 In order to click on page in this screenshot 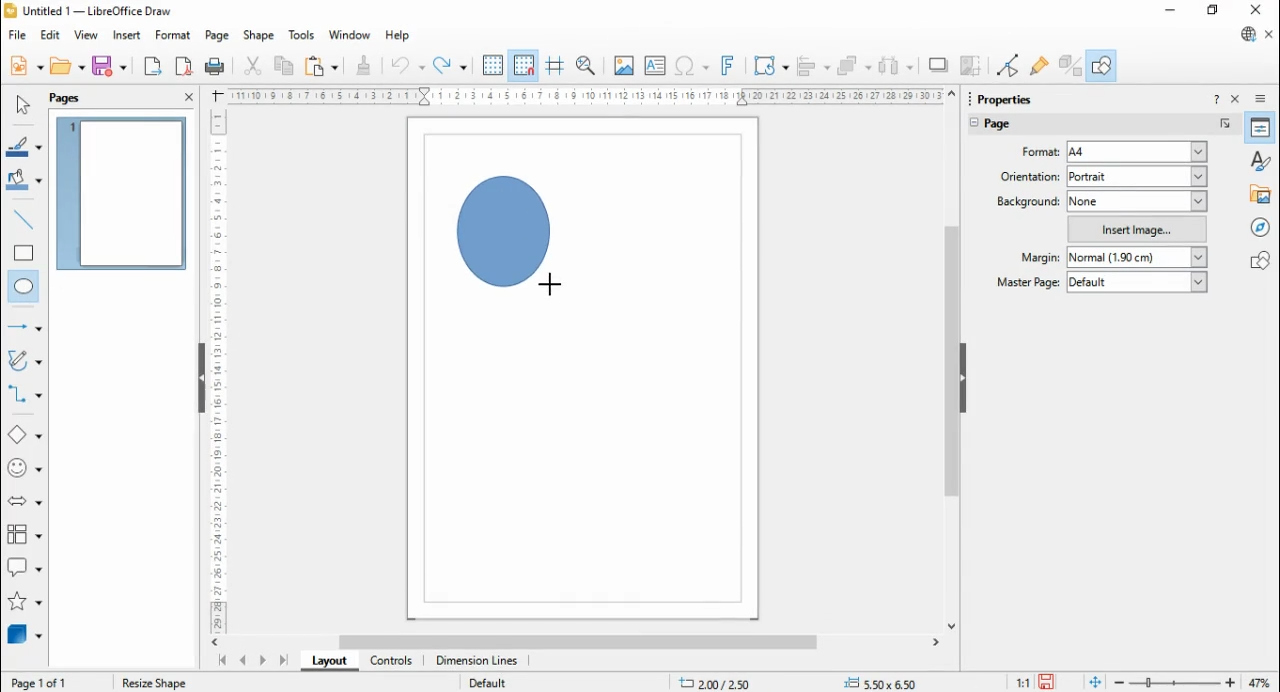, I will do `click(1011, 126)`.